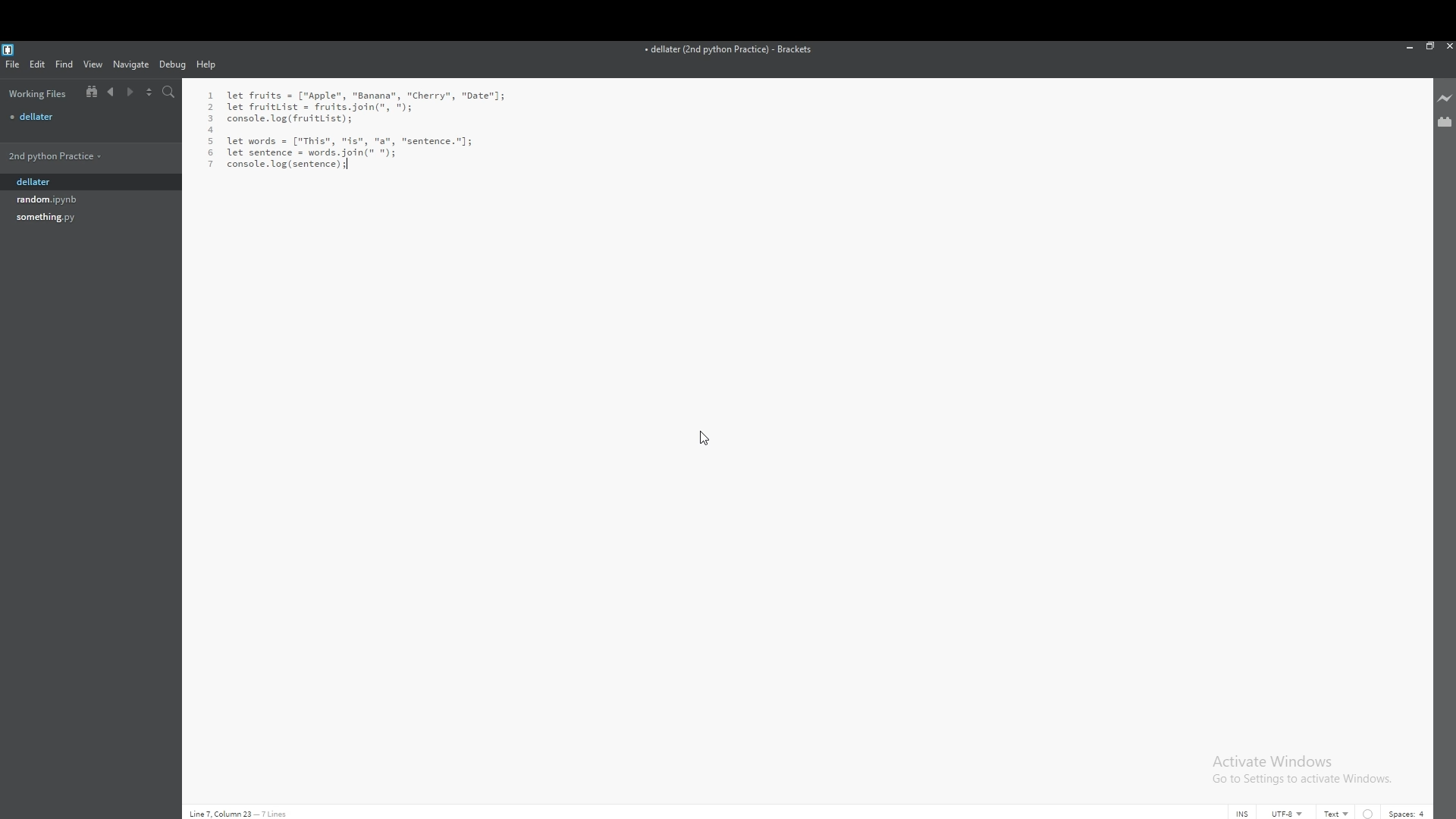 The height and width of the screenshot is (819, 1456). I want to click on working files, so click(38, 93).